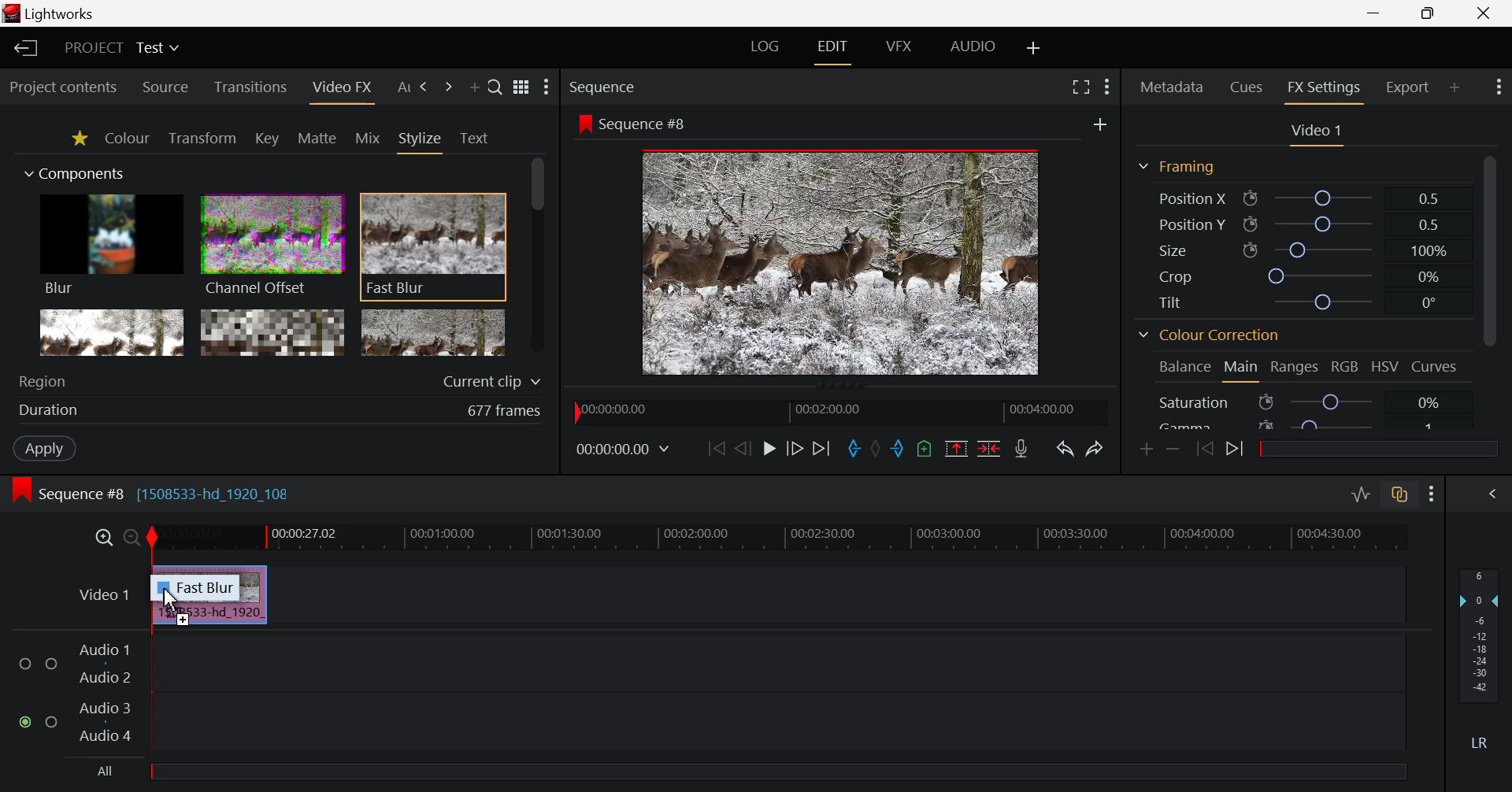 The height and width of the screenshot is (792, 1512). Describe the element at coordinates (22, 50) in the screenshot. I see `Back to Homepage` at that location.